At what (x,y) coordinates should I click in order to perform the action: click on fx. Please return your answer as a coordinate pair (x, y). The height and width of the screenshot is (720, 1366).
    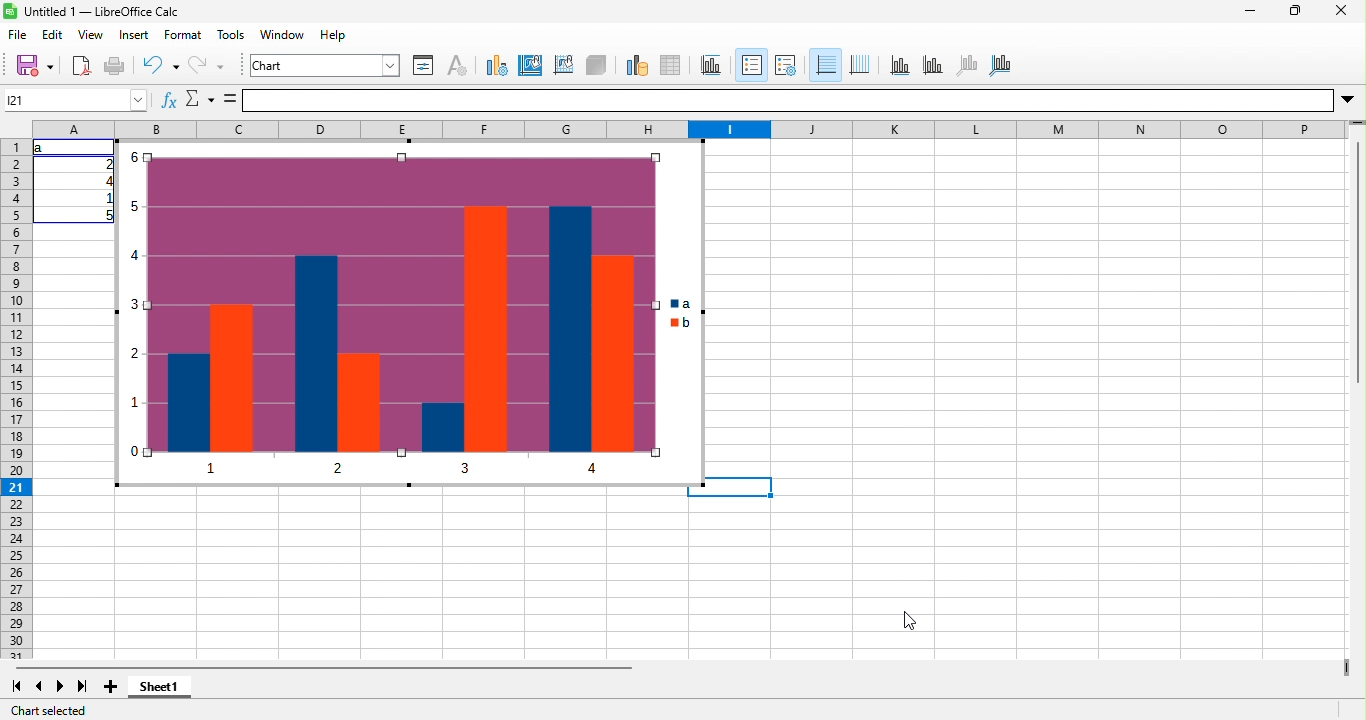
    Looking at the image, I should click on (169, 99).